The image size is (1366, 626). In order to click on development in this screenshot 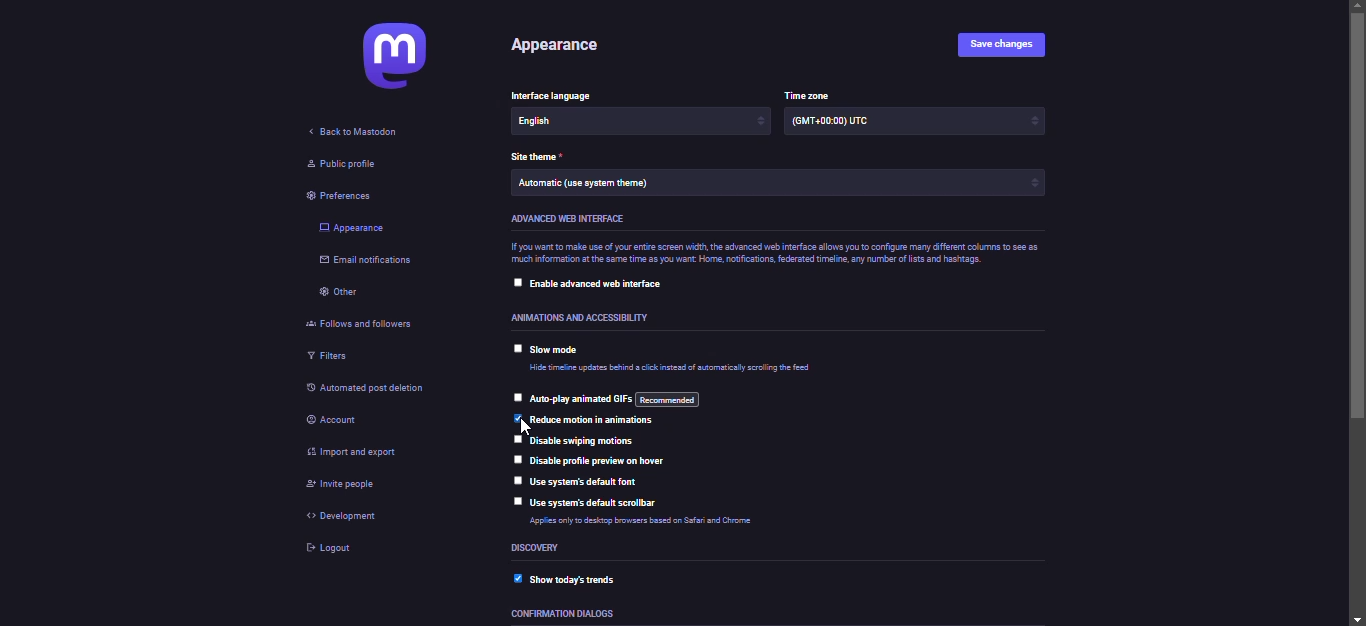, I will do `click(351, 520)`.